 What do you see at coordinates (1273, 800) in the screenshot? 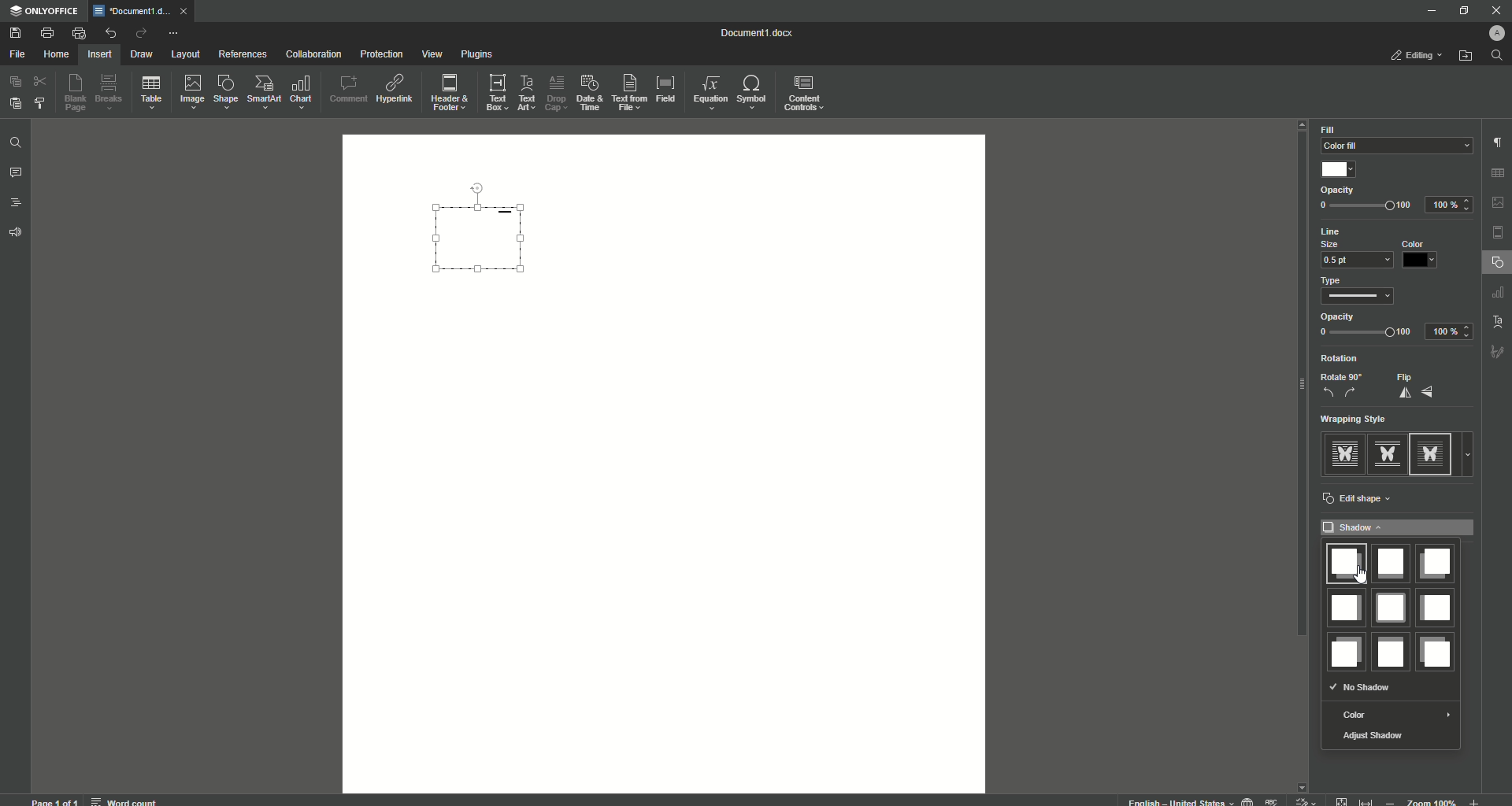
I see `spell checking` at bounding box center [1273, 800].